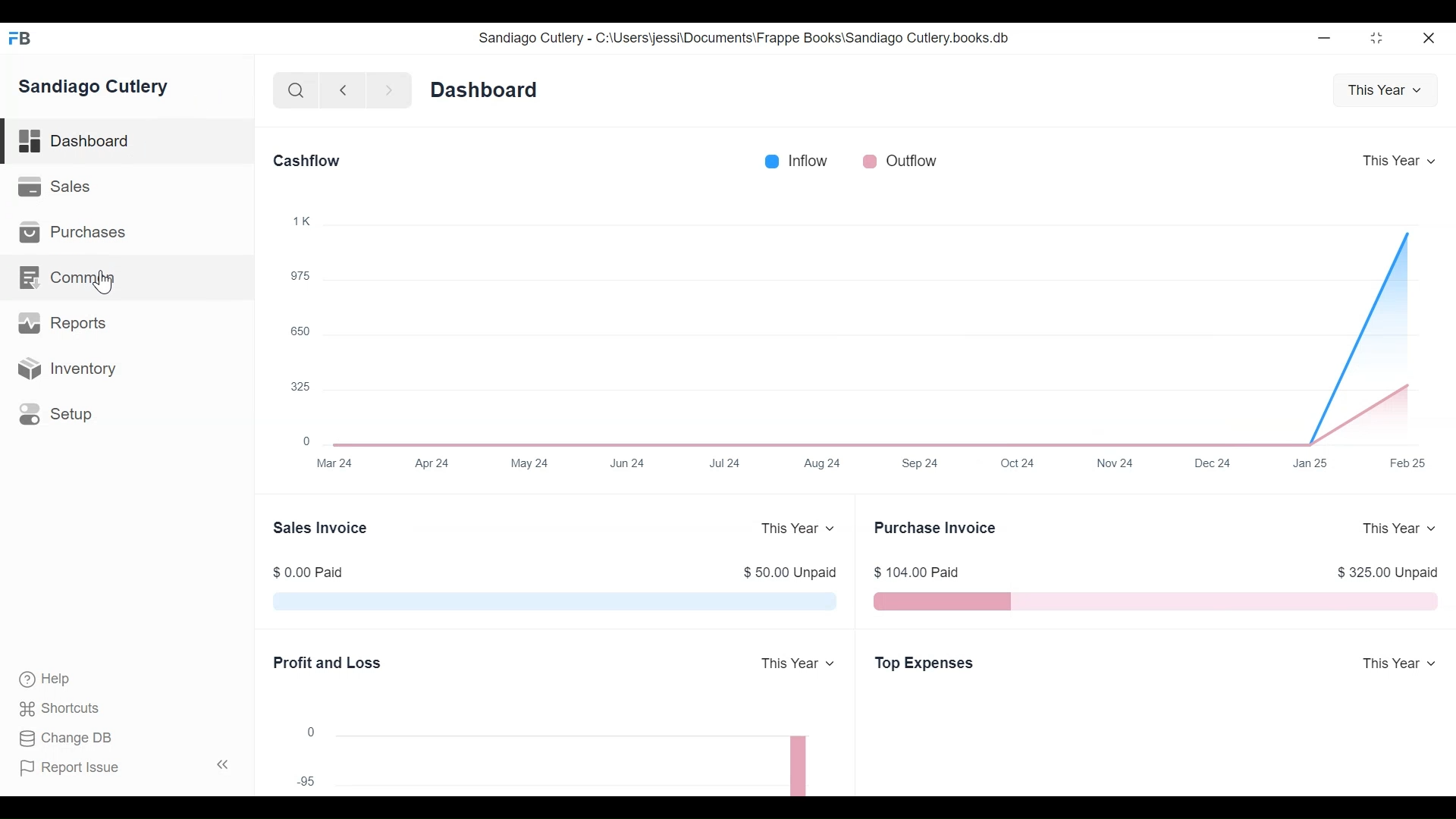 The width and height of the screenshot is (1456, 819). I want to click on Aug 24, so click(824, 463).